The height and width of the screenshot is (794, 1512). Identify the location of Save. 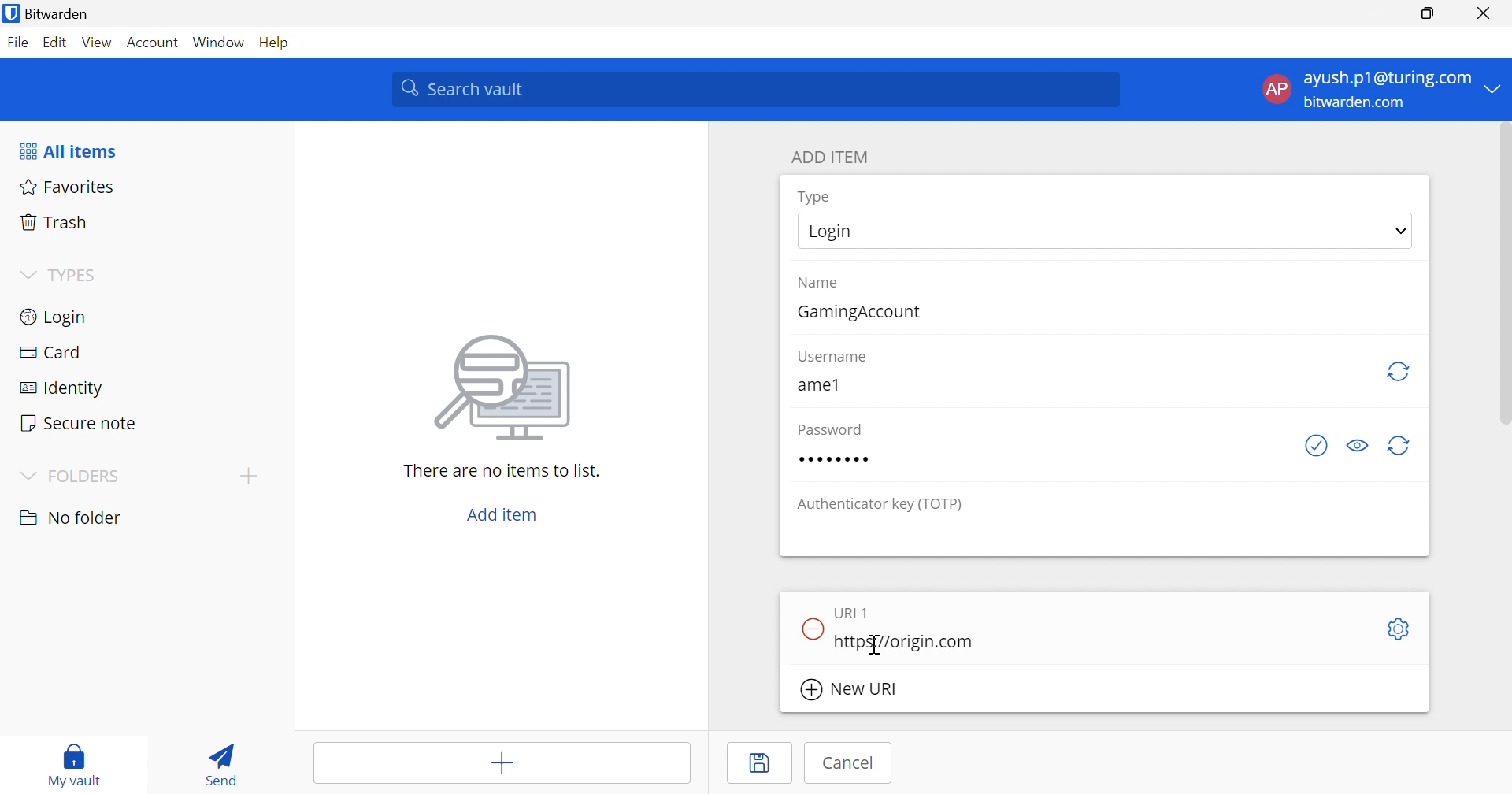
(762, 763).